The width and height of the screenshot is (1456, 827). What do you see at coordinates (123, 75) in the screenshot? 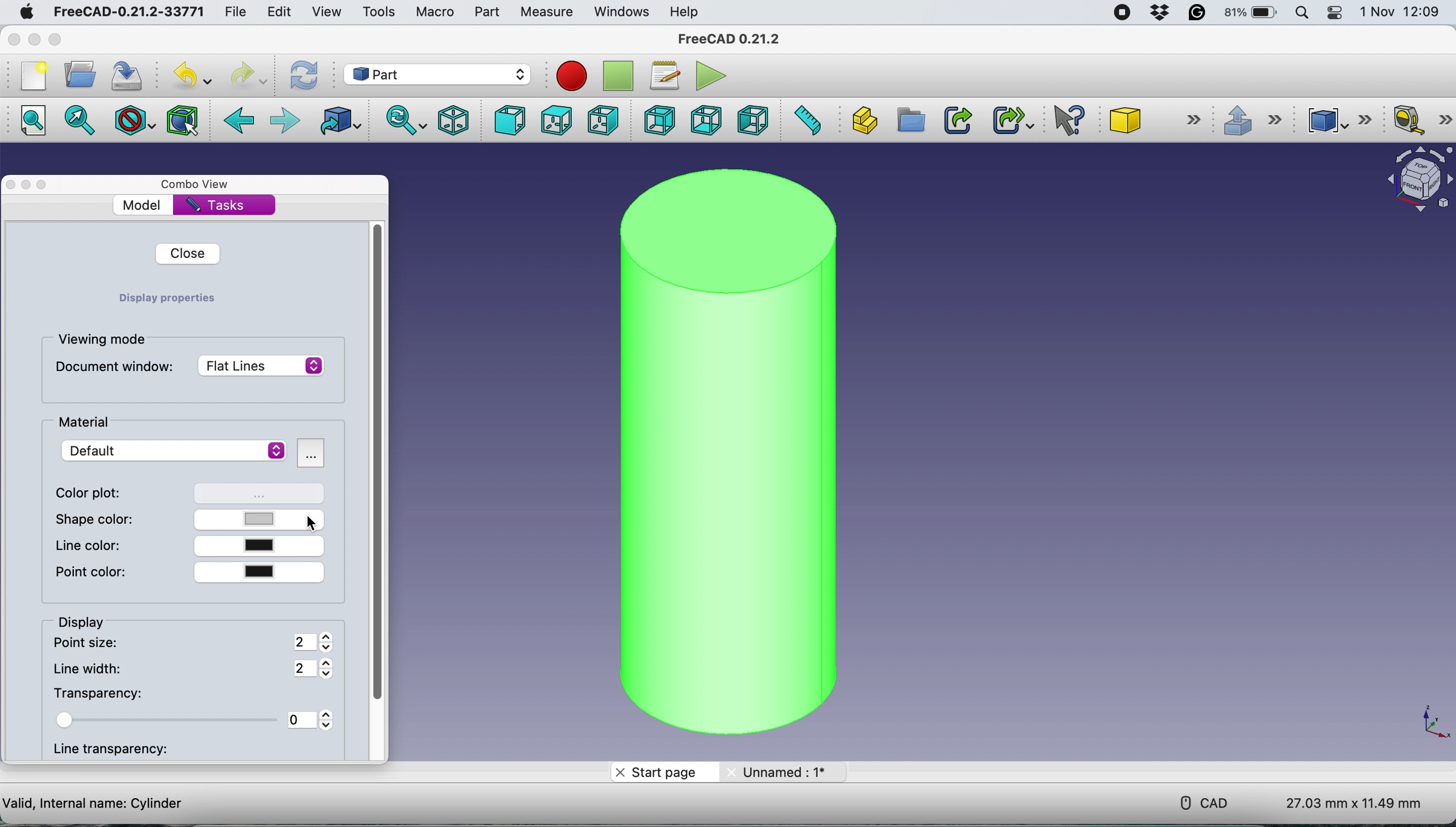
I see `save` at bounding box center [123, 75].